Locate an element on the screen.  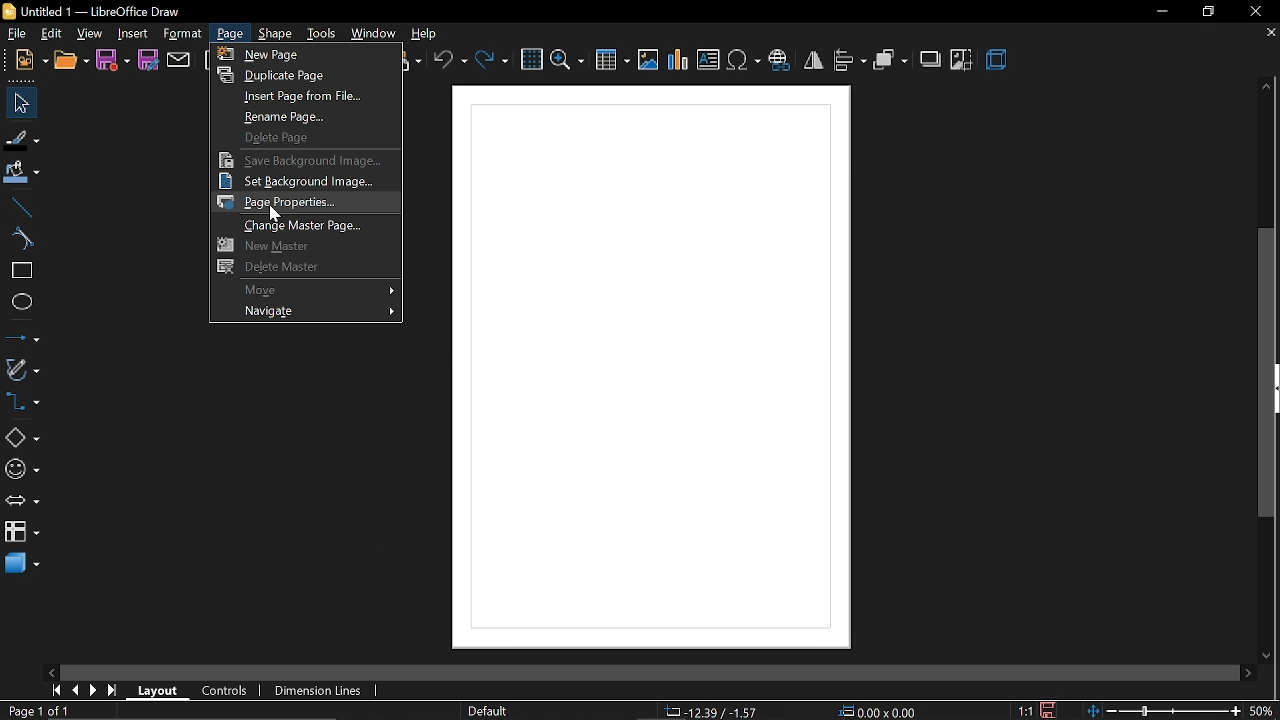
curves is located at coordinates (22, 241).